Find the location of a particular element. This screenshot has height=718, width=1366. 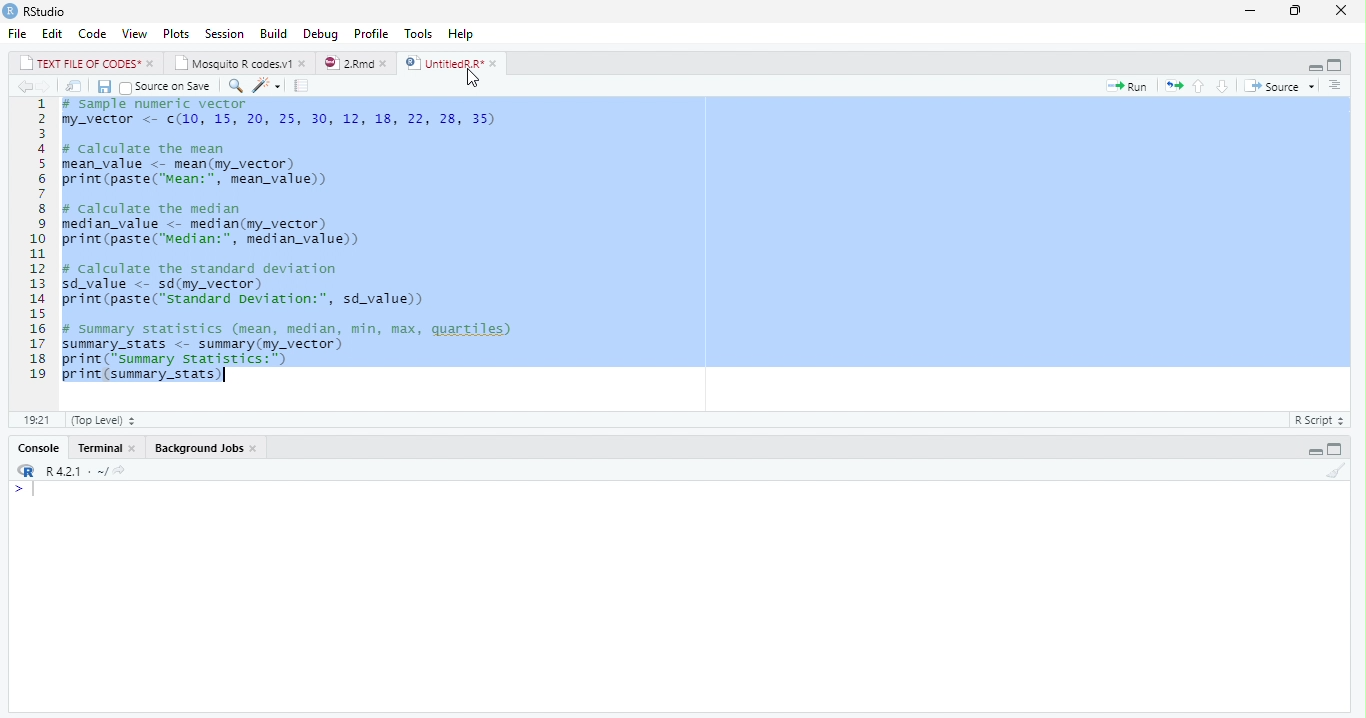

Source is located at coordinates (1274, 87).